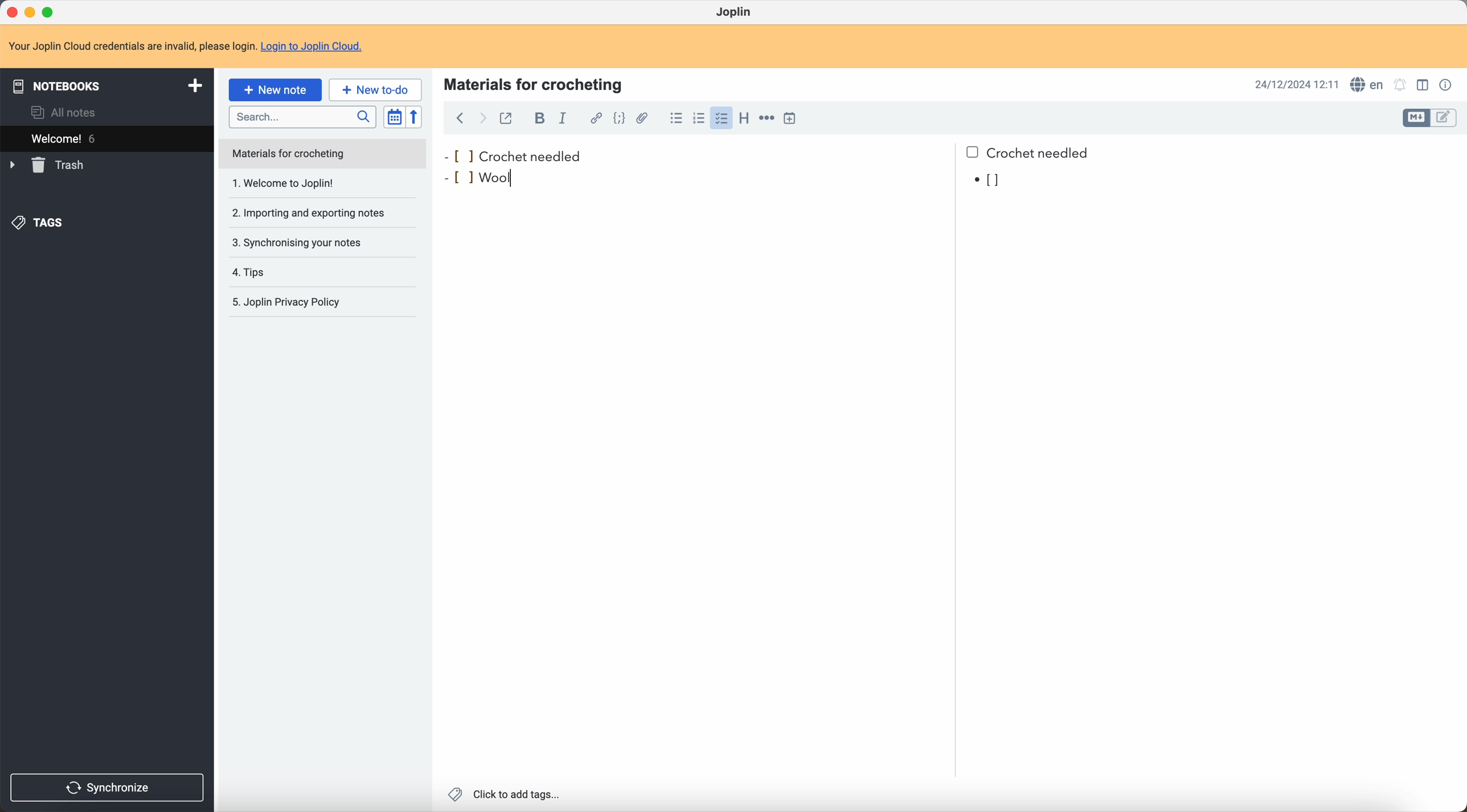 The height and width of the screenshot is (812, 1467). I want to click on insert time, so click(792, 118).